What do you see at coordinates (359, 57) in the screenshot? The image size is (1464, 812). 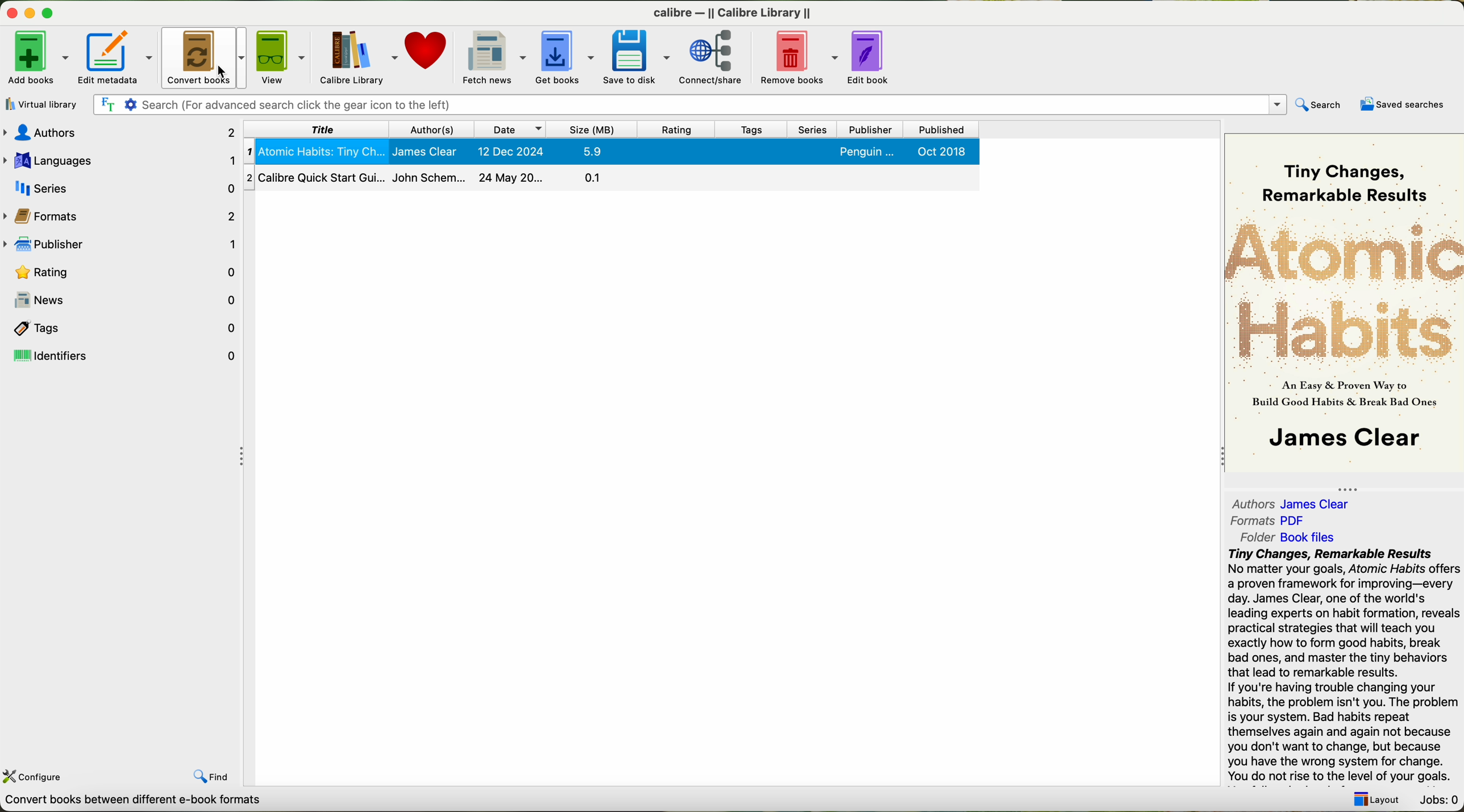 I see `calibre library` at bounding box center [359, 57].